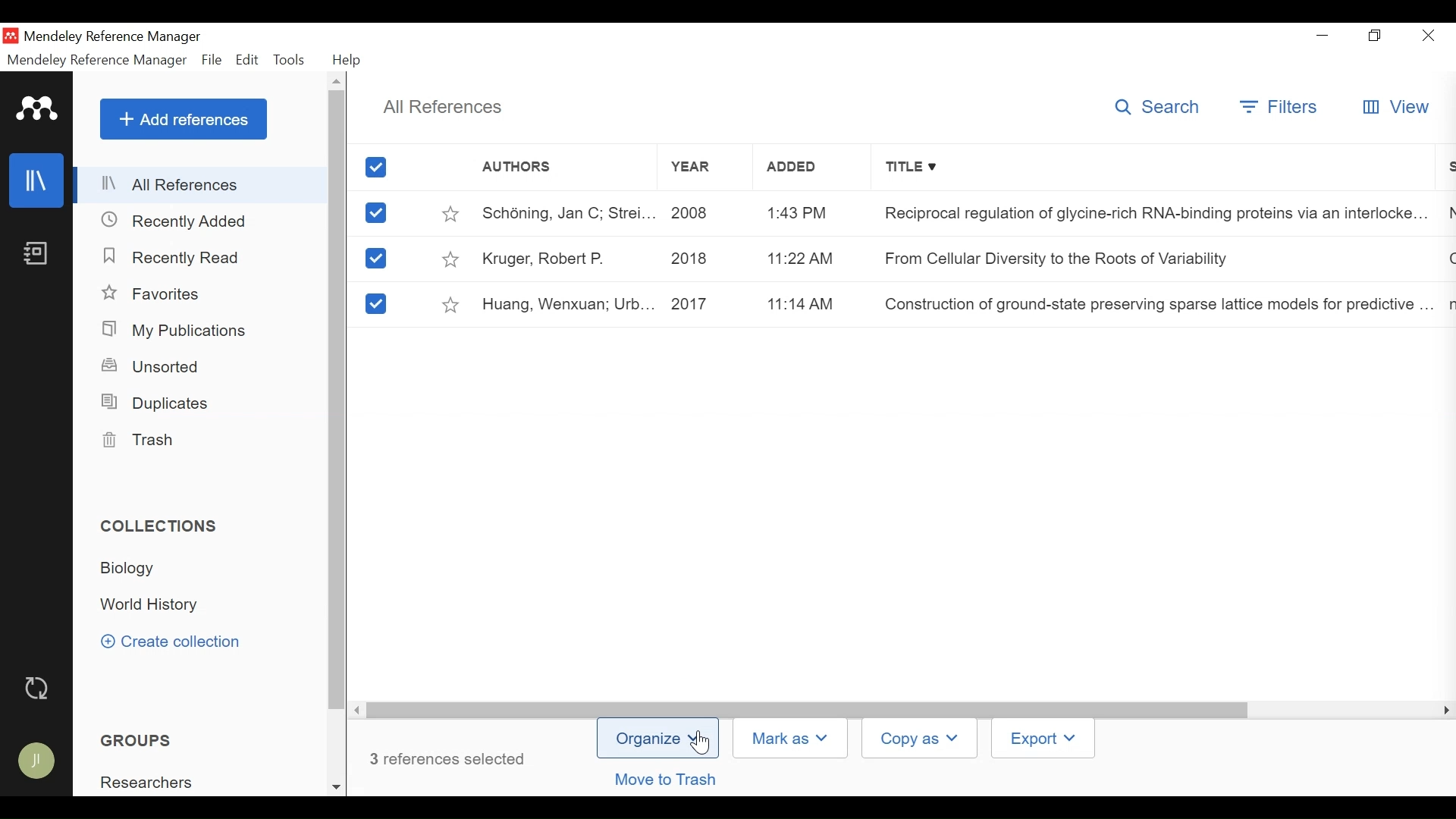  What do you see at coordinates (139, 441) in the screenshot?
I see `Trash` at bounding box center [139, 441].